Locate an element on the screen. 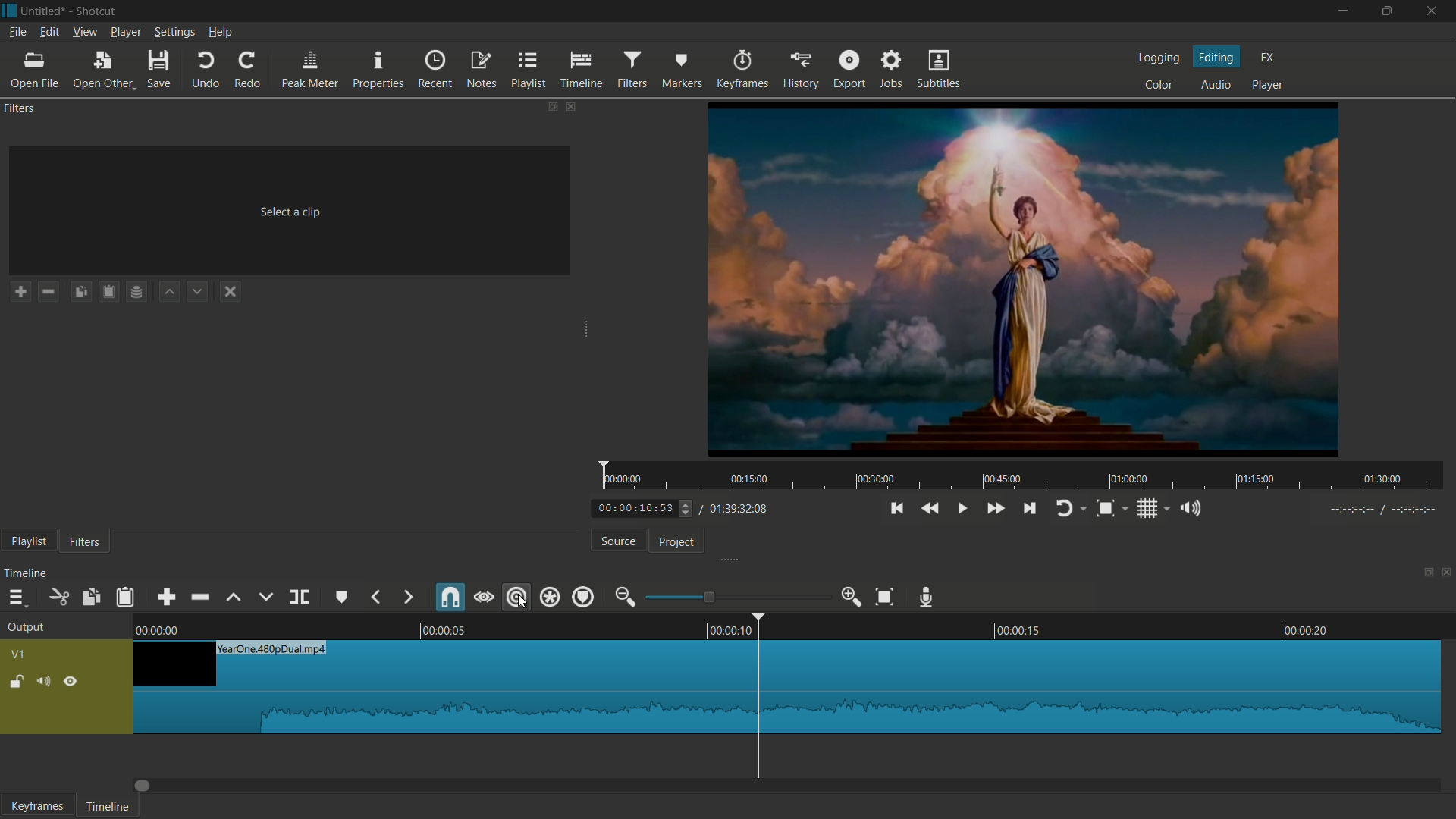 The image size is (1456, 819). jobs is located at coordinates (892, 68).